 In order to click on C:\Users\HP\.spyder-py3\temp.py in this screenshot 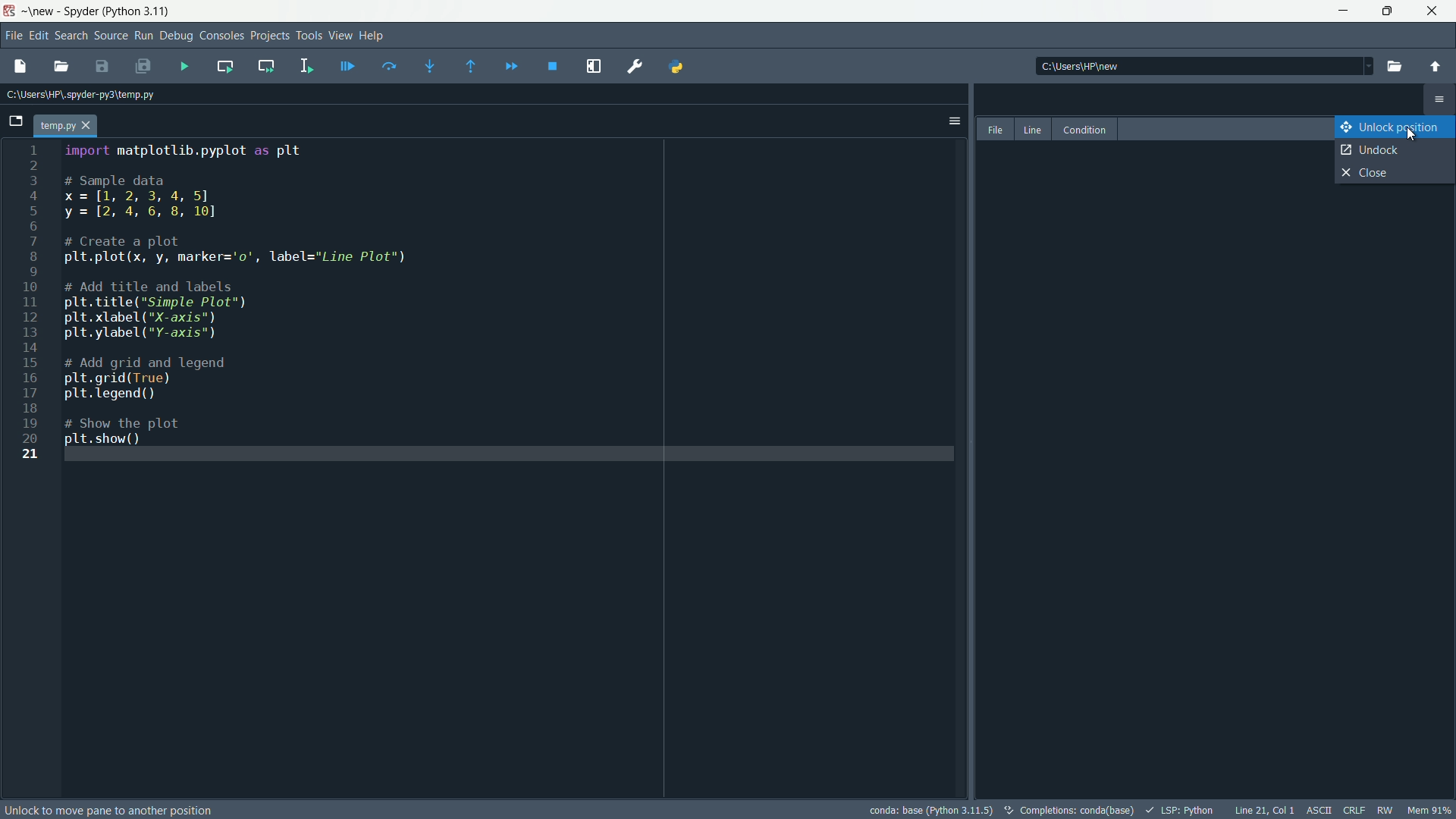, I will do `click(83, 96)`.